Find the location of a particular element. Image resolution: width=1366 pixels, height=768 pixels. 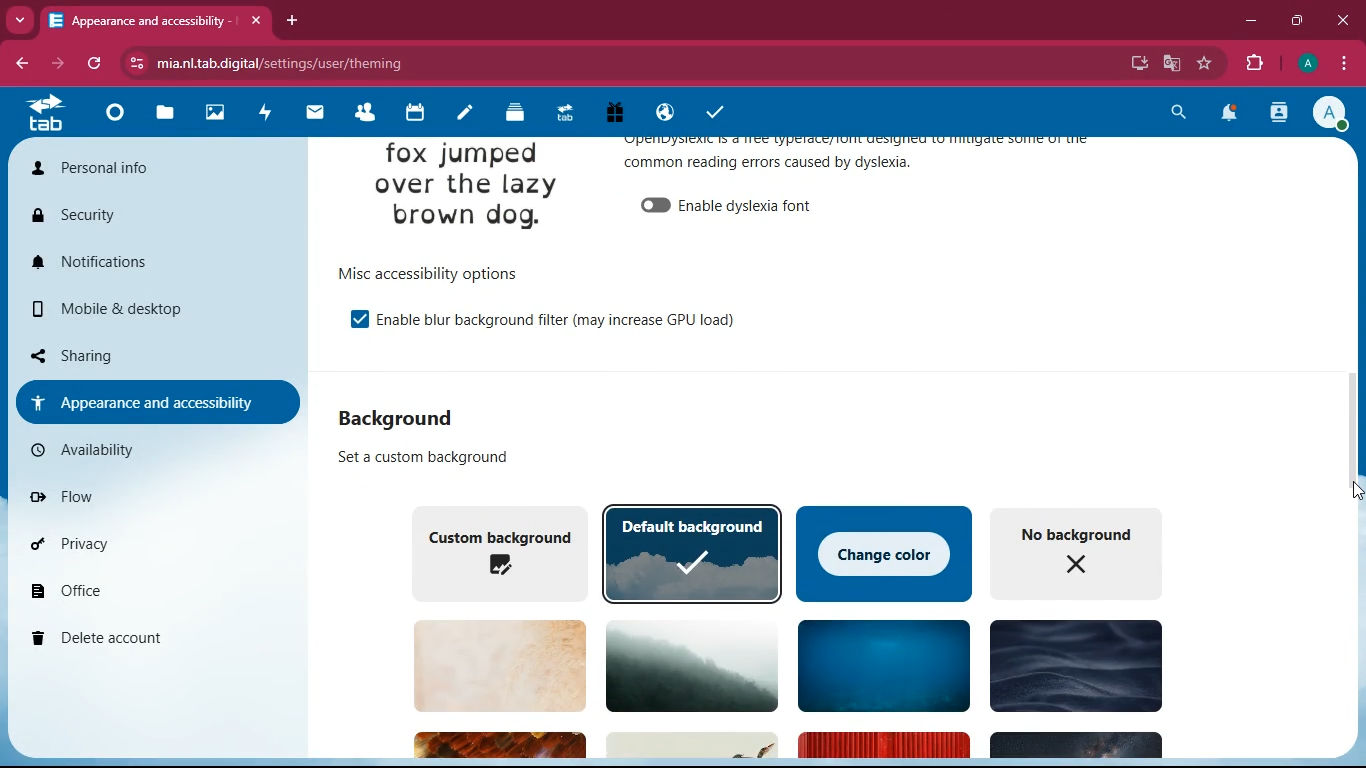

extensions is located at coordinates (1253, 64).